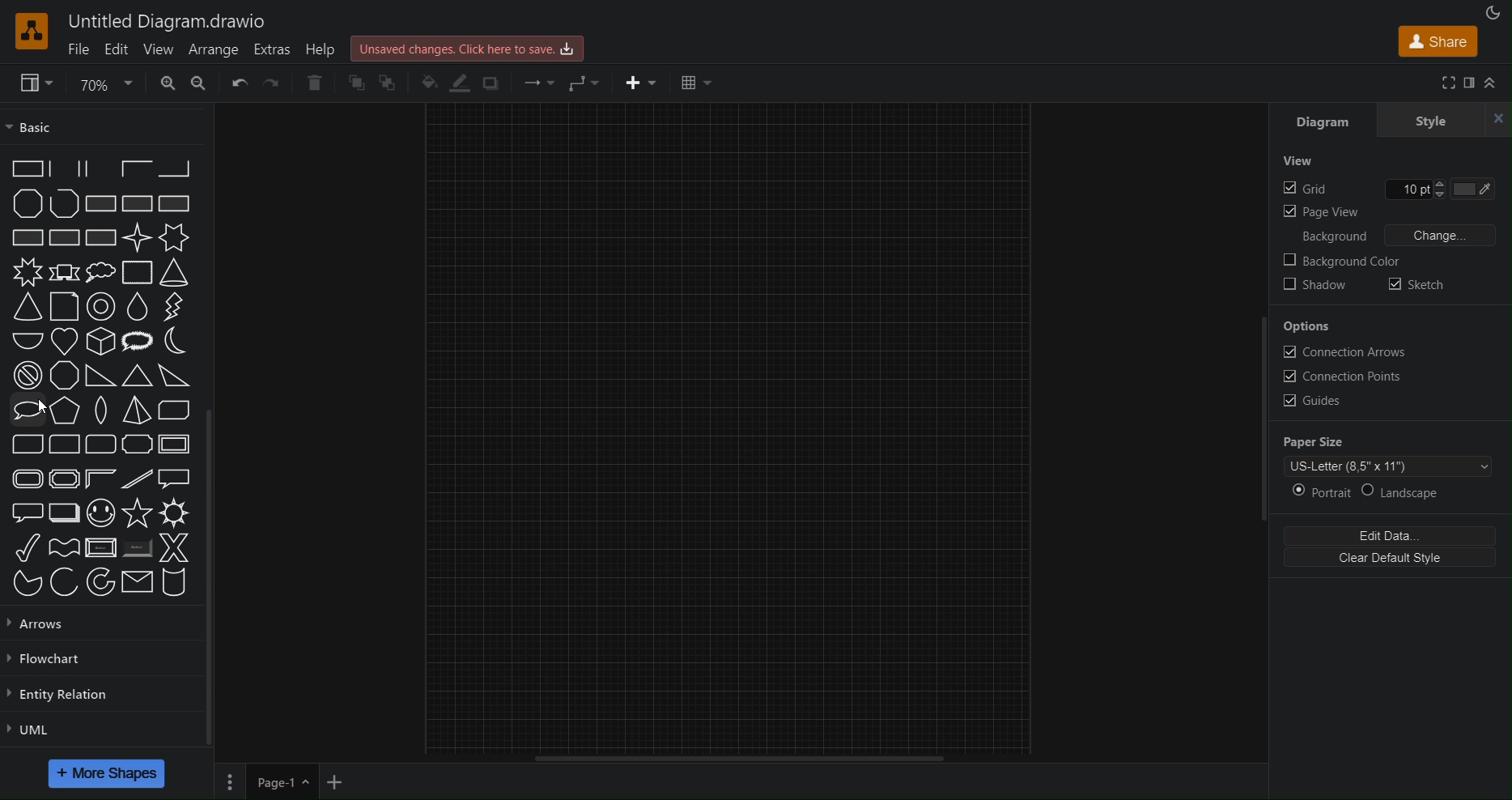  I want to click on Line Color, so click(461, 83).